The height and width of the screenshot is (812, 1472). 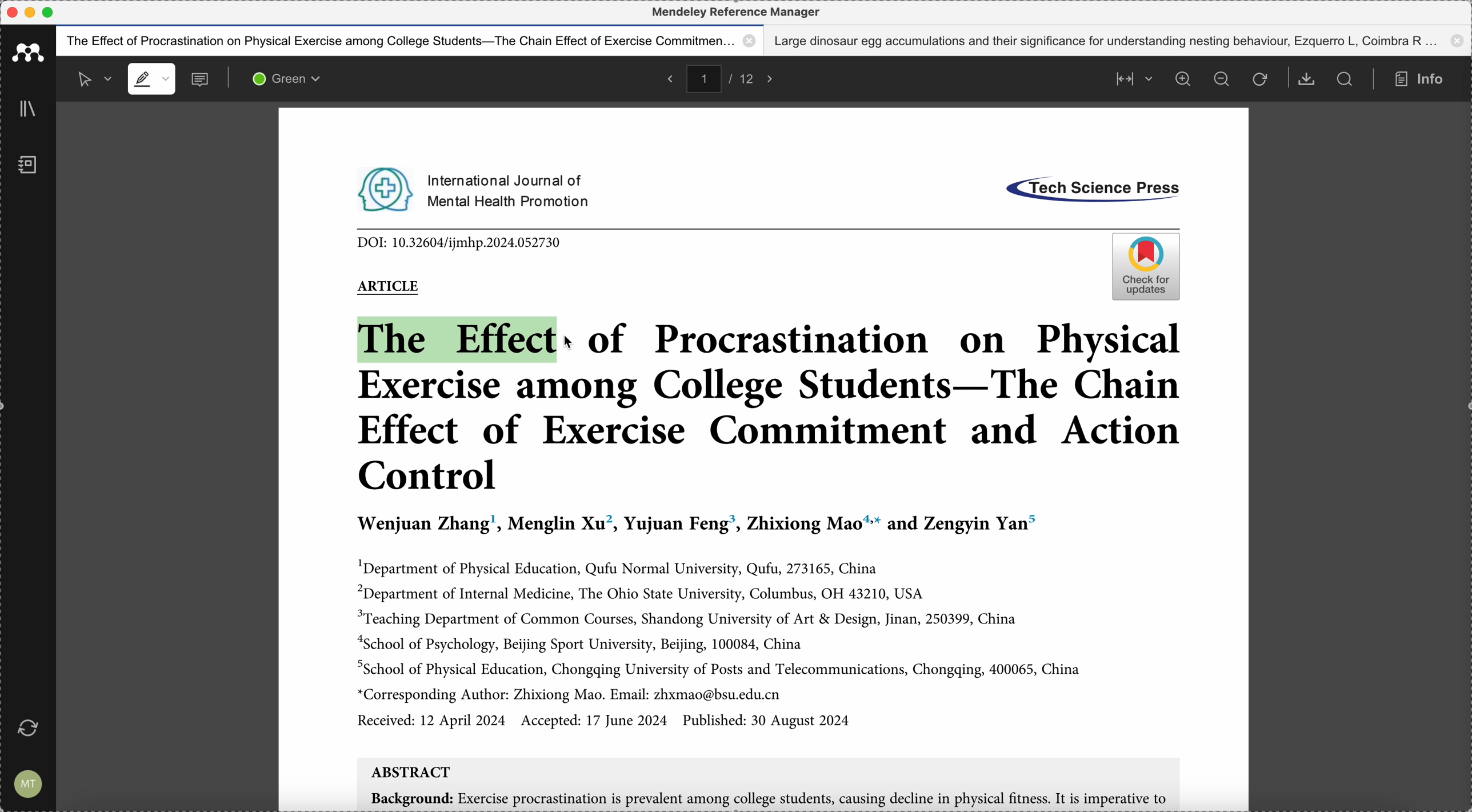 I want to click on pdf opened, so click(x=429, y=212).